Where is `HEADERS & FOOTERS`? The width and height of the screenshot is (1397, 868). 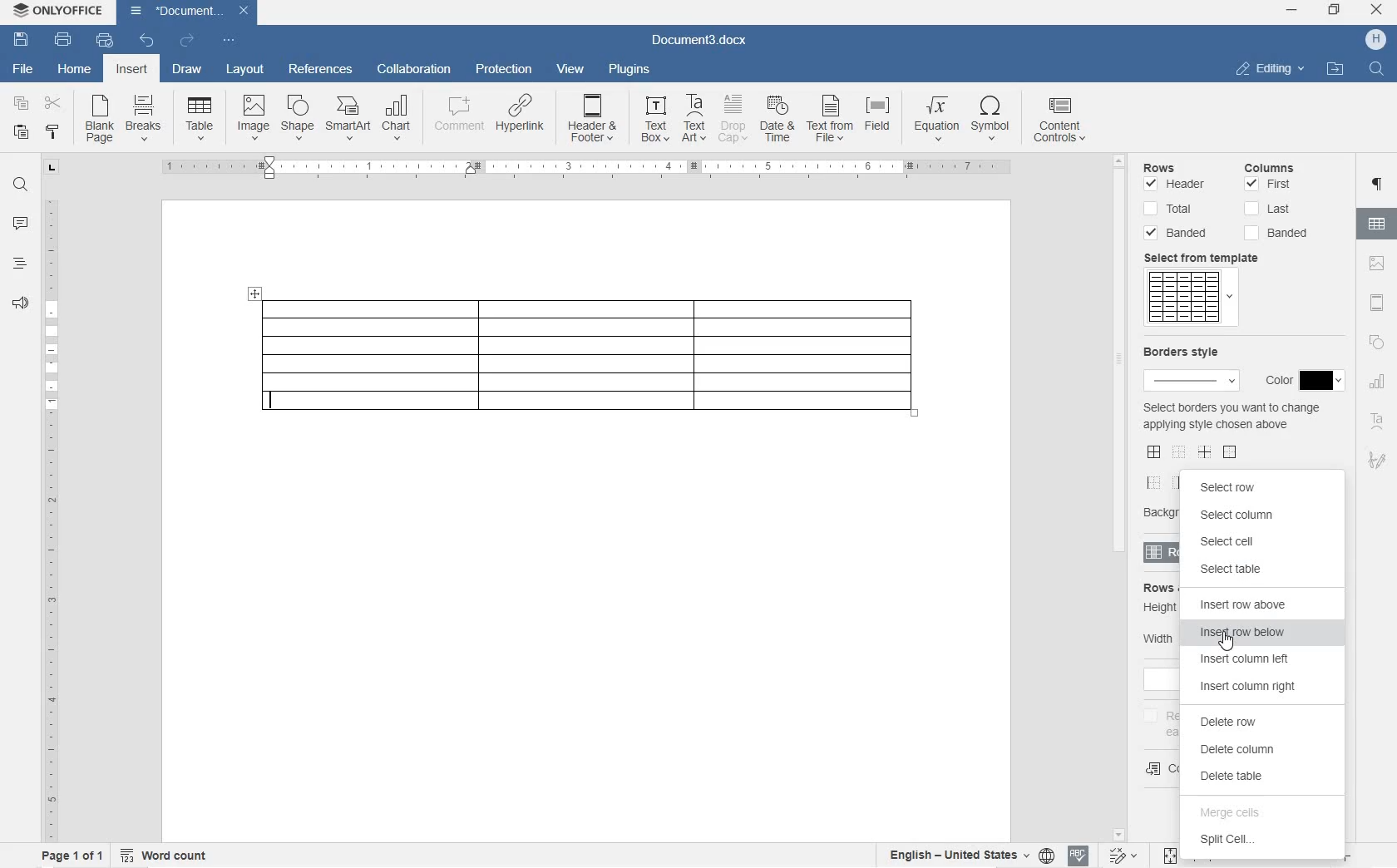 HEADERS & FOOTERS is located at coordinates (1379, 303).